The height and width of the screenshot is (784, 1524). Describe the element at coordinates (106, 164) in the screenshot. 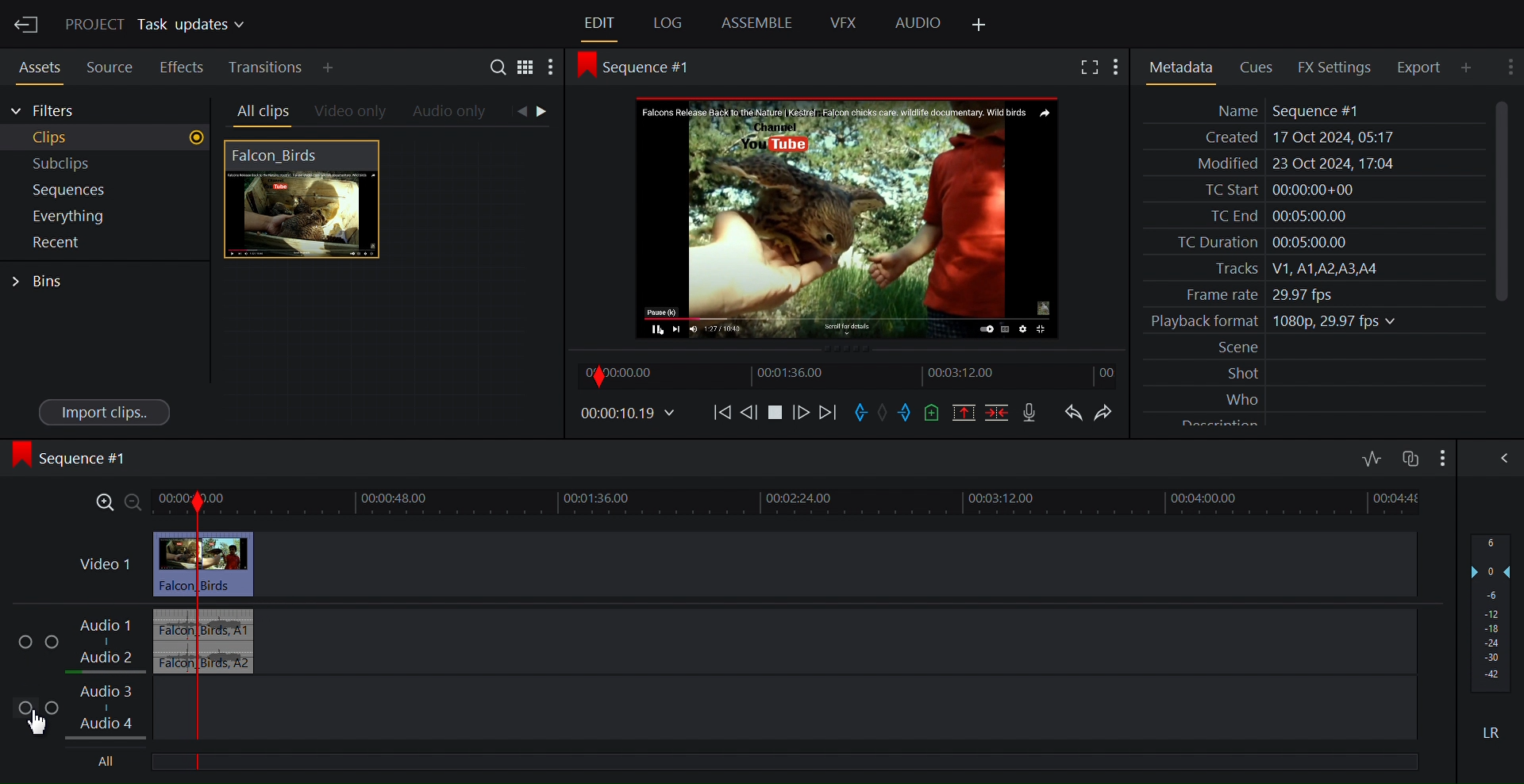

I see `Subclips` at that location.